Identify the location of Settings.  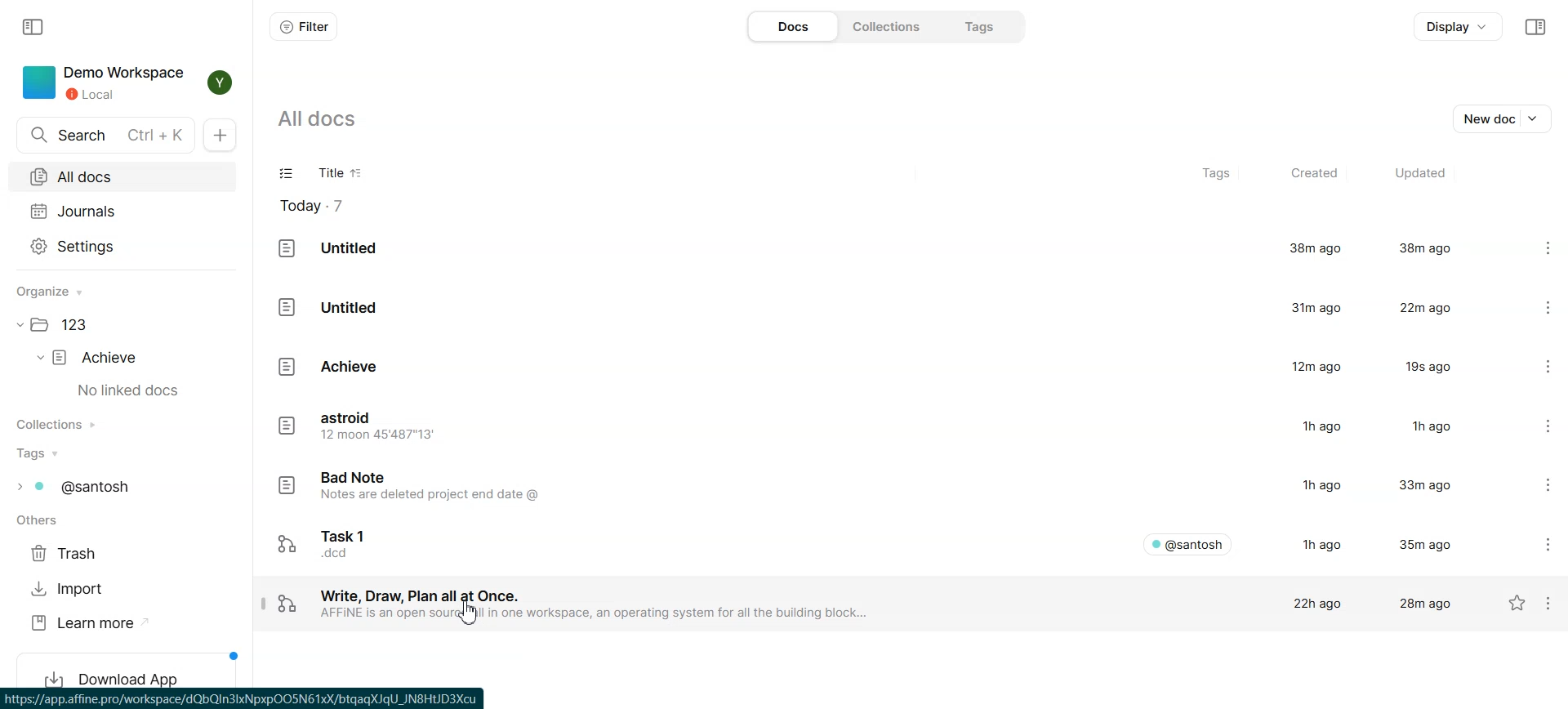
(122, 245).